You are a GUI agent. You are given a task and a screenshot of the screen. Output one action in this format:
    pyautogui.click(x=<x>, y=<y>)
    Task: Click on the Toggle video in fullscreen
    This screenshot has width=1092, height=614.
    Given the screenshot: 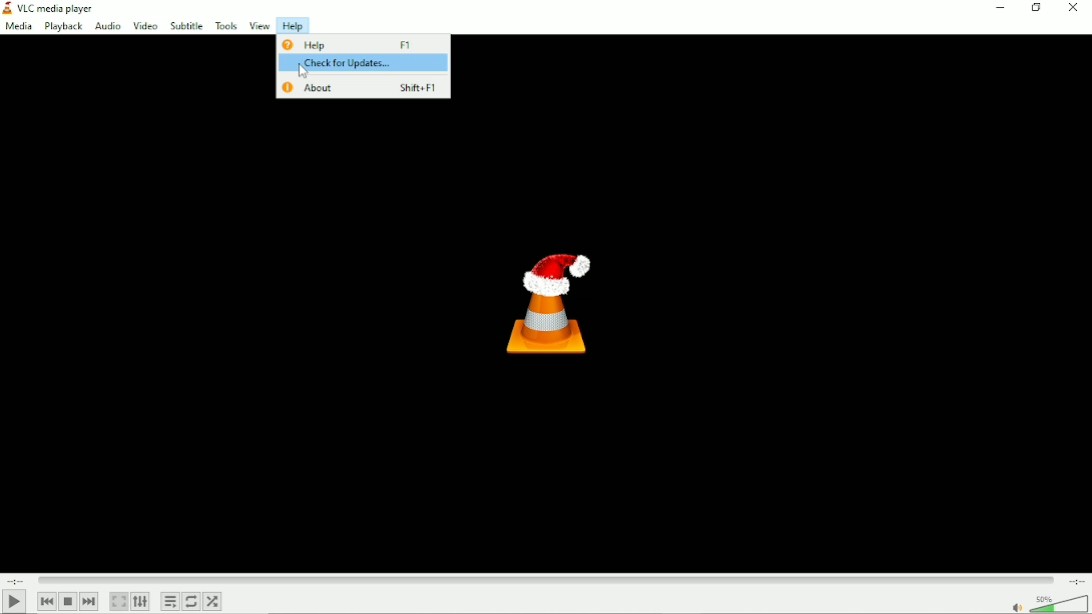 What is the action you would take?
    pyautogui.click(x=119, y=602)
    